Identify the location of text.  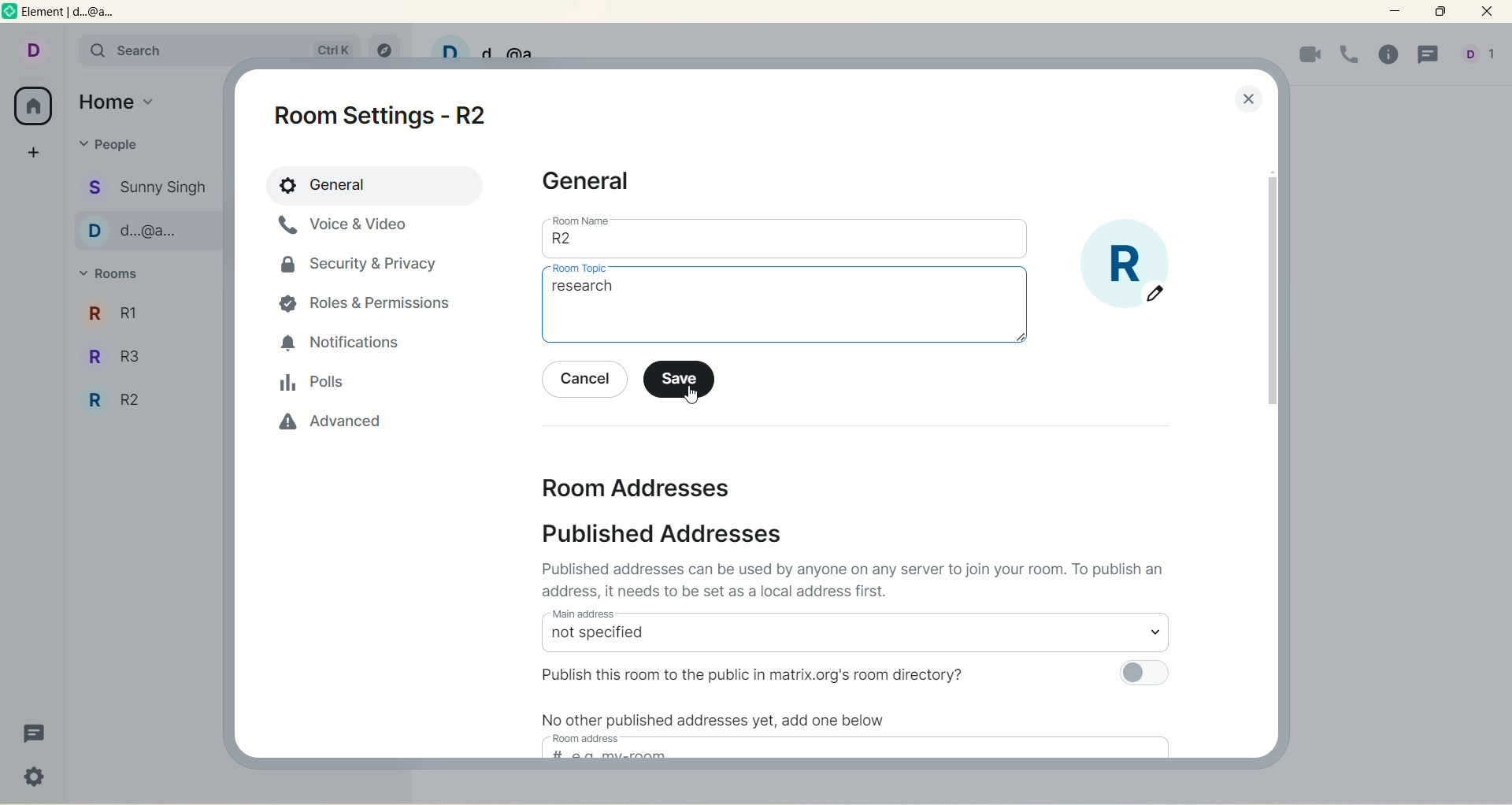
(859, 582).